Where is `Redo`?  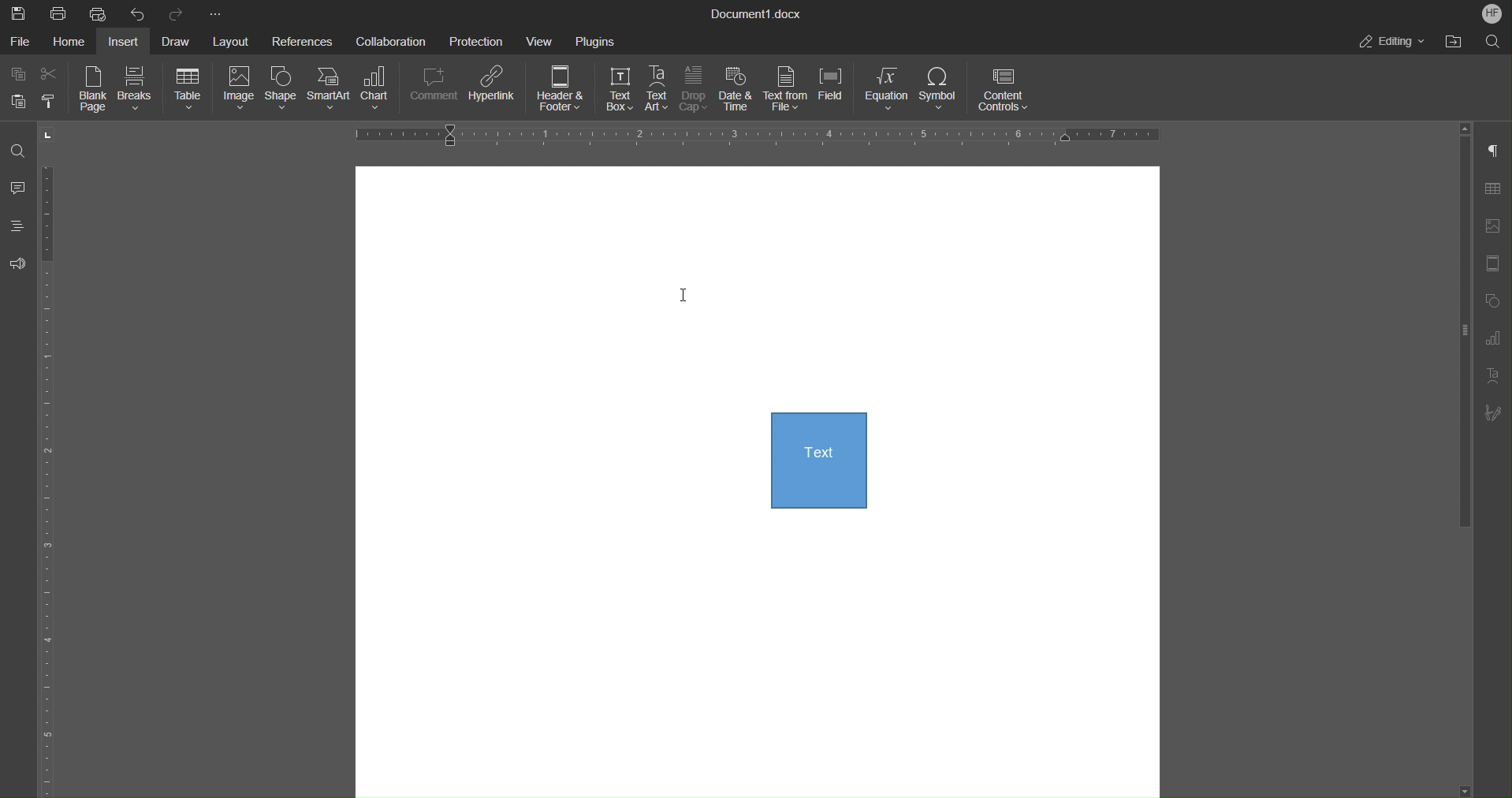
Redo is located at coordinates (177, 13).